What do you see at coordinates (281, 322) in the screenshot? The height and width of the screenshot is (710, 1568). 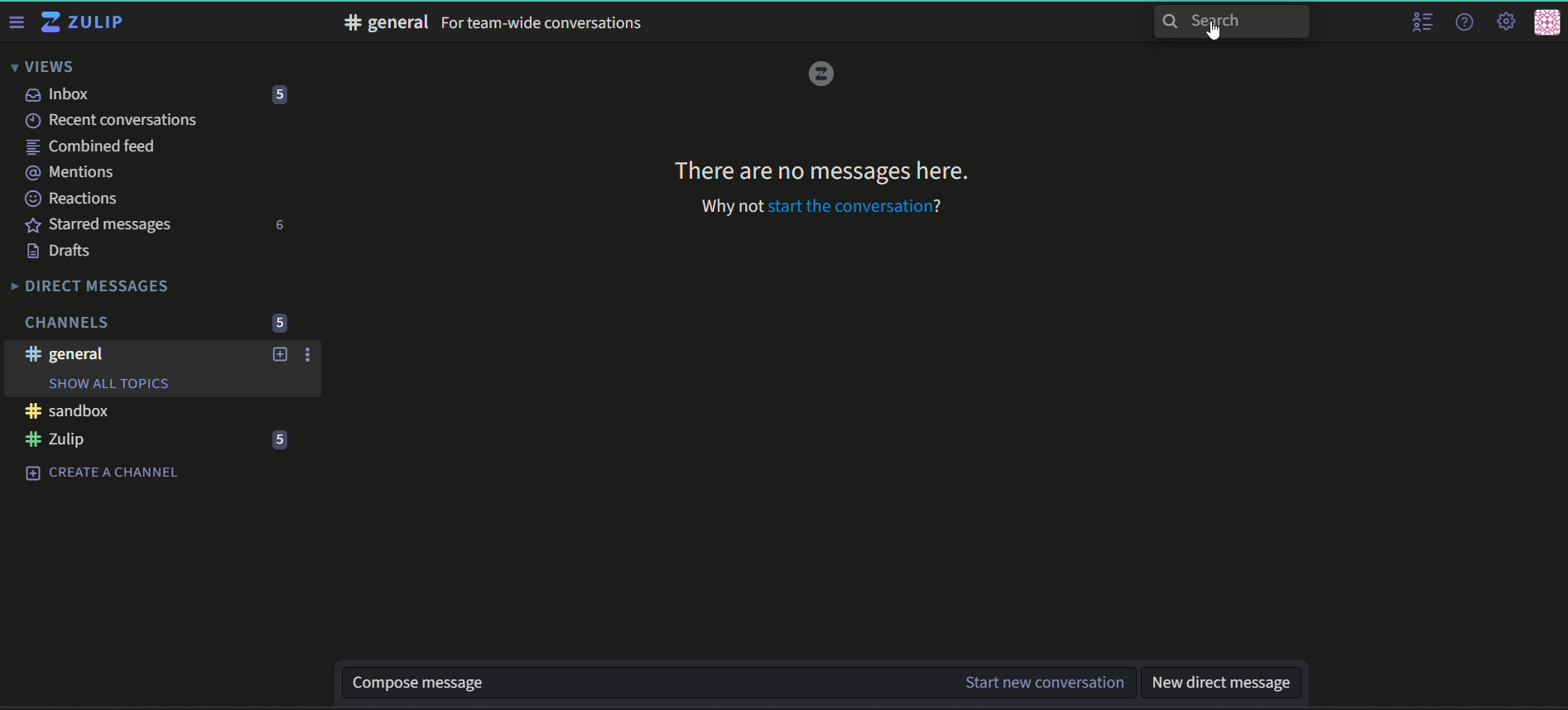 I see `number` at bounding box center [281, 322].